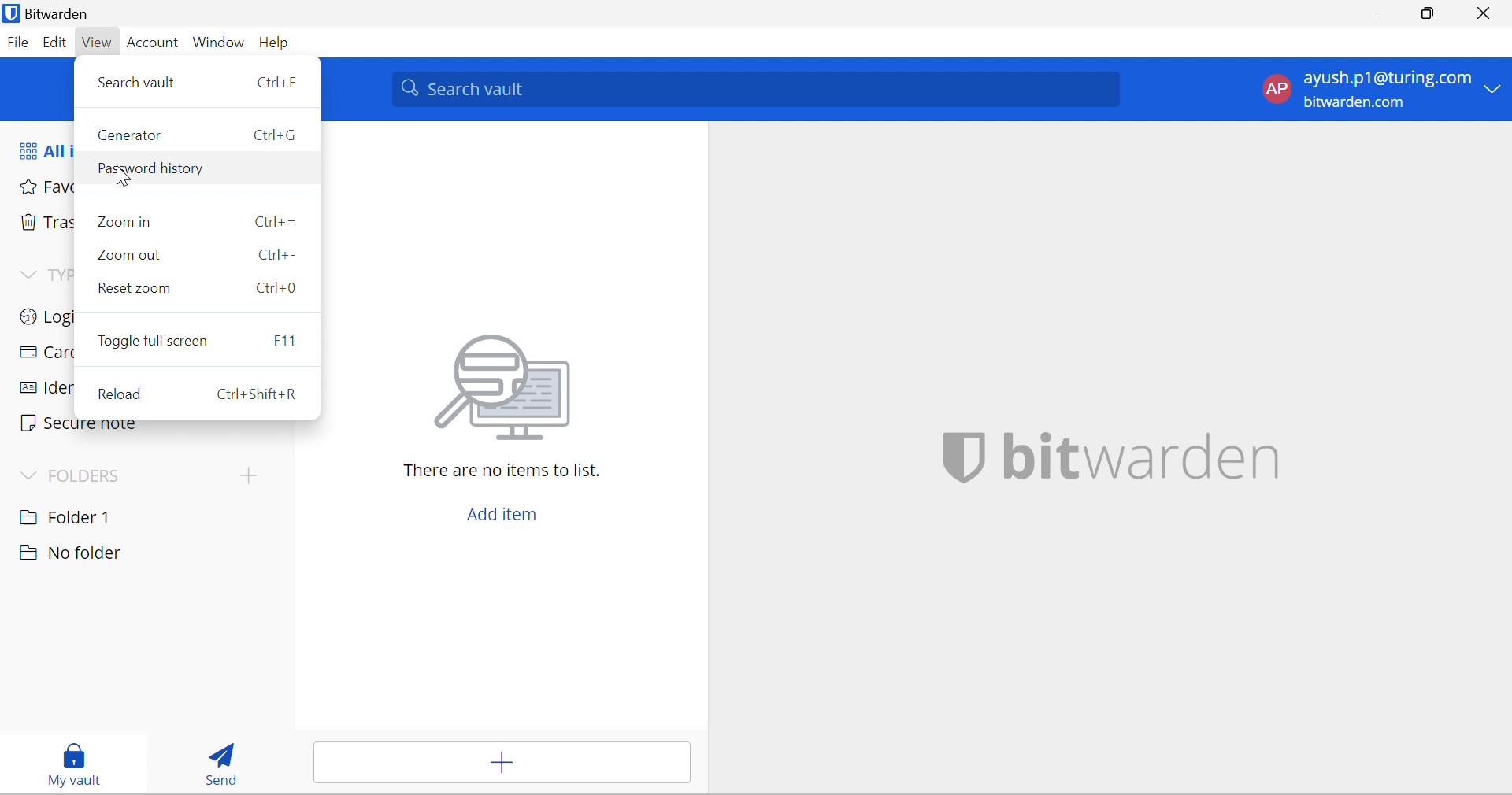  What do you see at coordinates (201, 80) in the screenshot?
I see `Search vault` at bounding box center [201, 80].